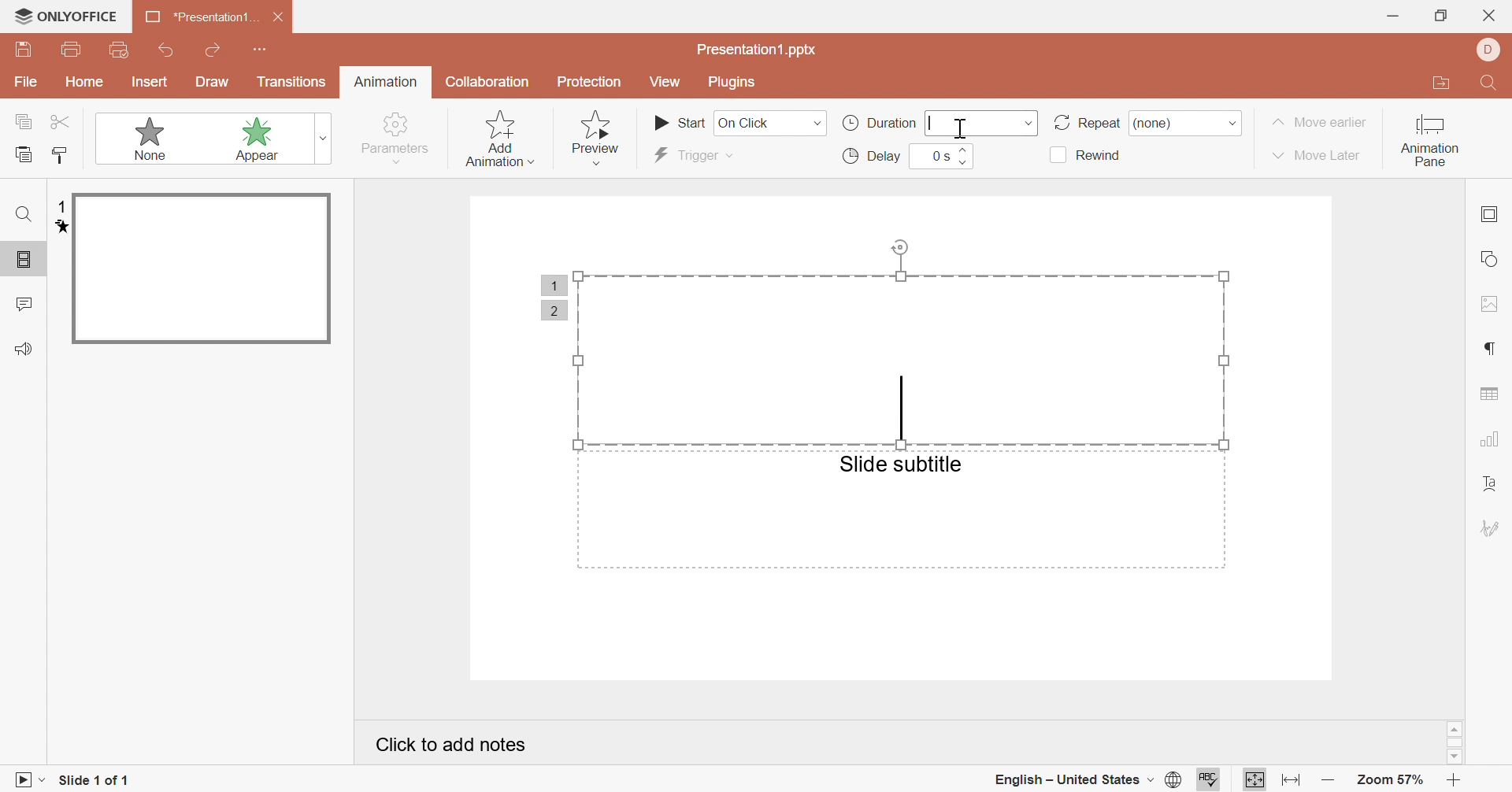 The width and height of the screenshot is (1512, 792). Describe the element at coordinates (1085, 124) in the screenshot. I see `repeat` at that location.